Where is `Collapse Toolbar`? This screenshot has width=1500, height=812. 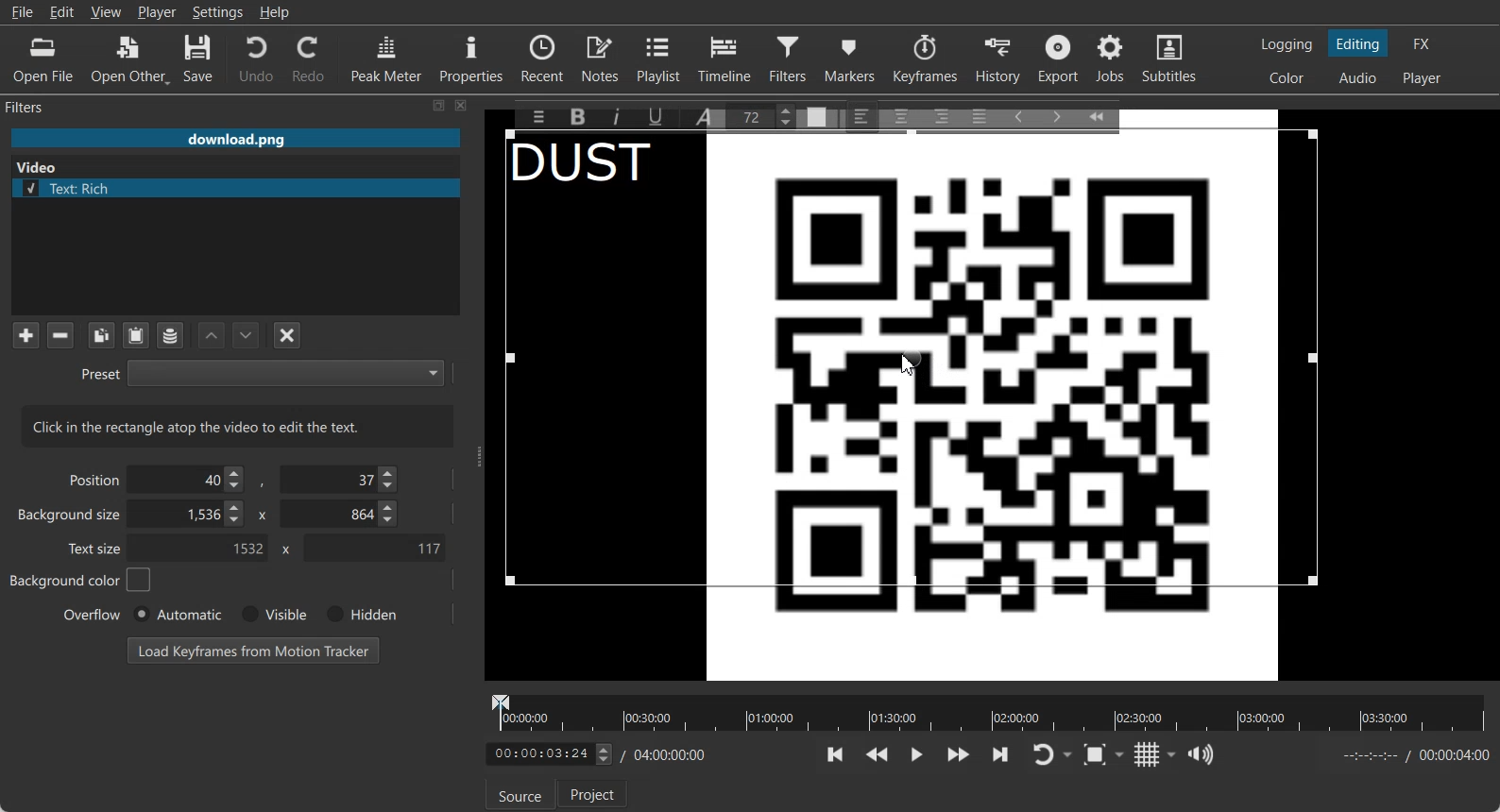 Collapse Toolbar is located at coordinates (1105, 113).